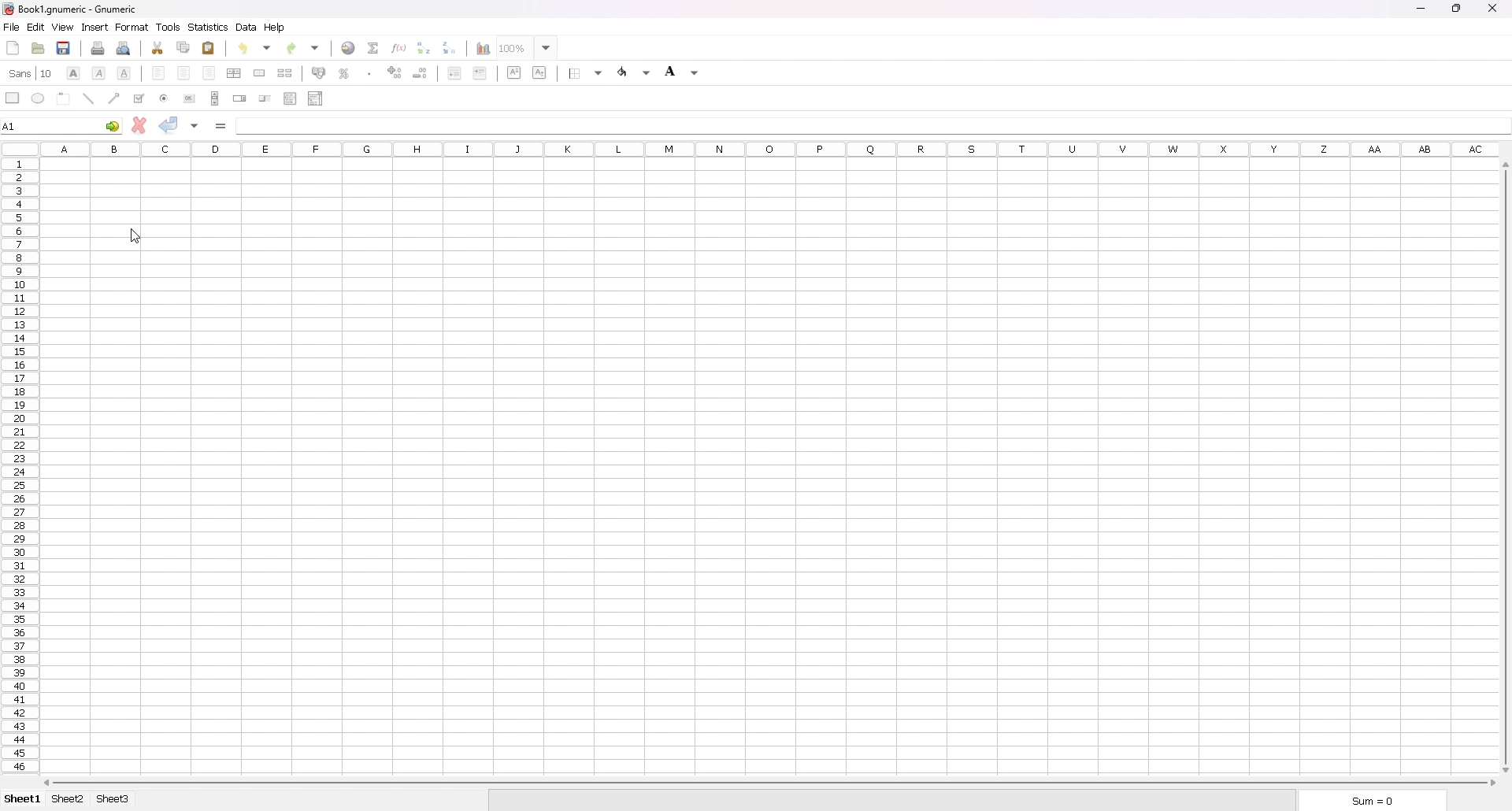 Image resolution: width=1512 pixels, height=811 pixels. Describe the element at coordinates (305, 47) in the screenshot. I see `redo` at that location.